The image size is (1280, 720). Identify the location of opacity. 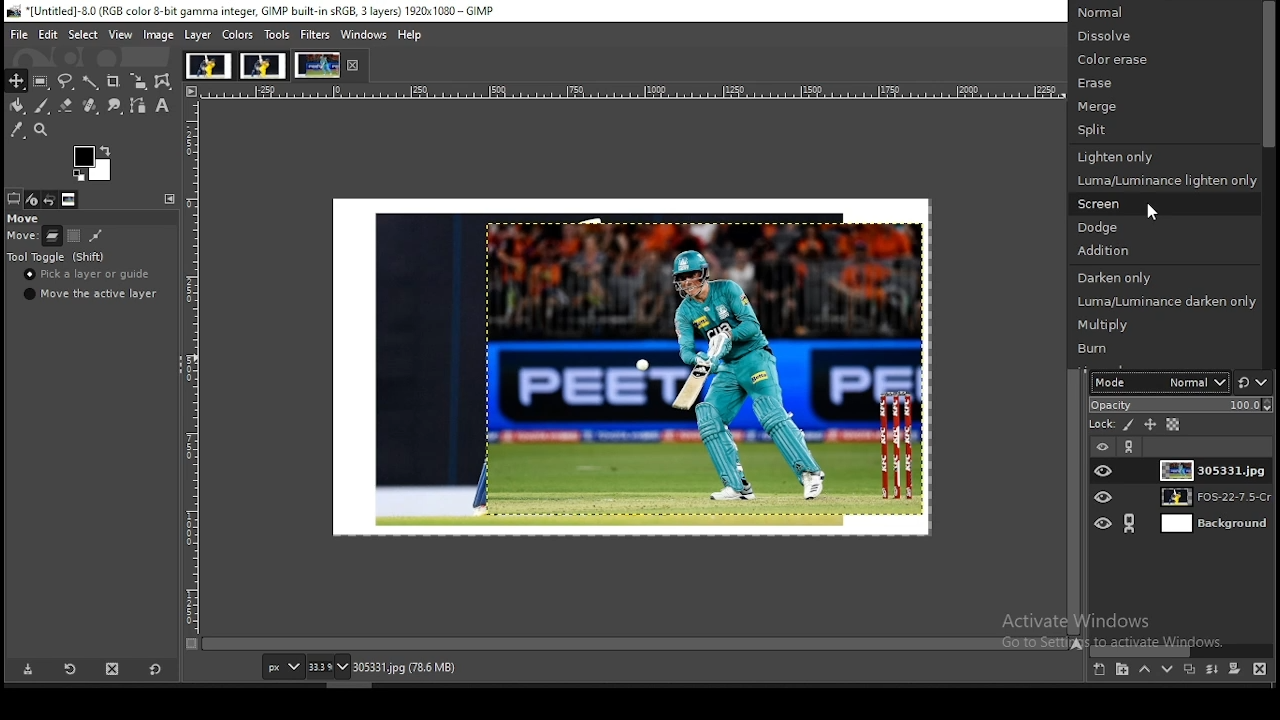
(1181, 404).